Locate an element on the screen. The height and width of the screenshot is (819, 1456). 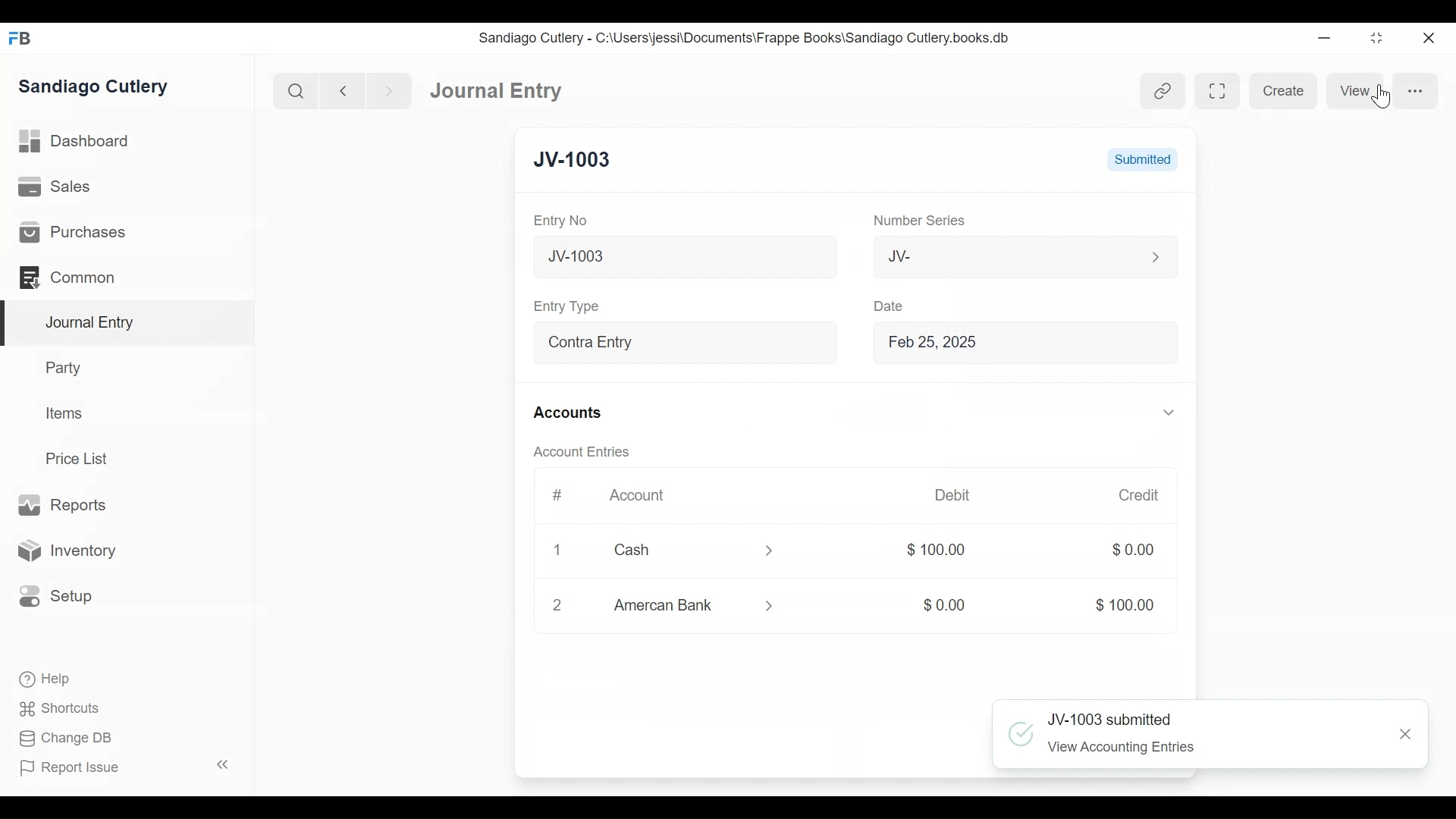
View inked entries is located at coordinates (1163, 91).